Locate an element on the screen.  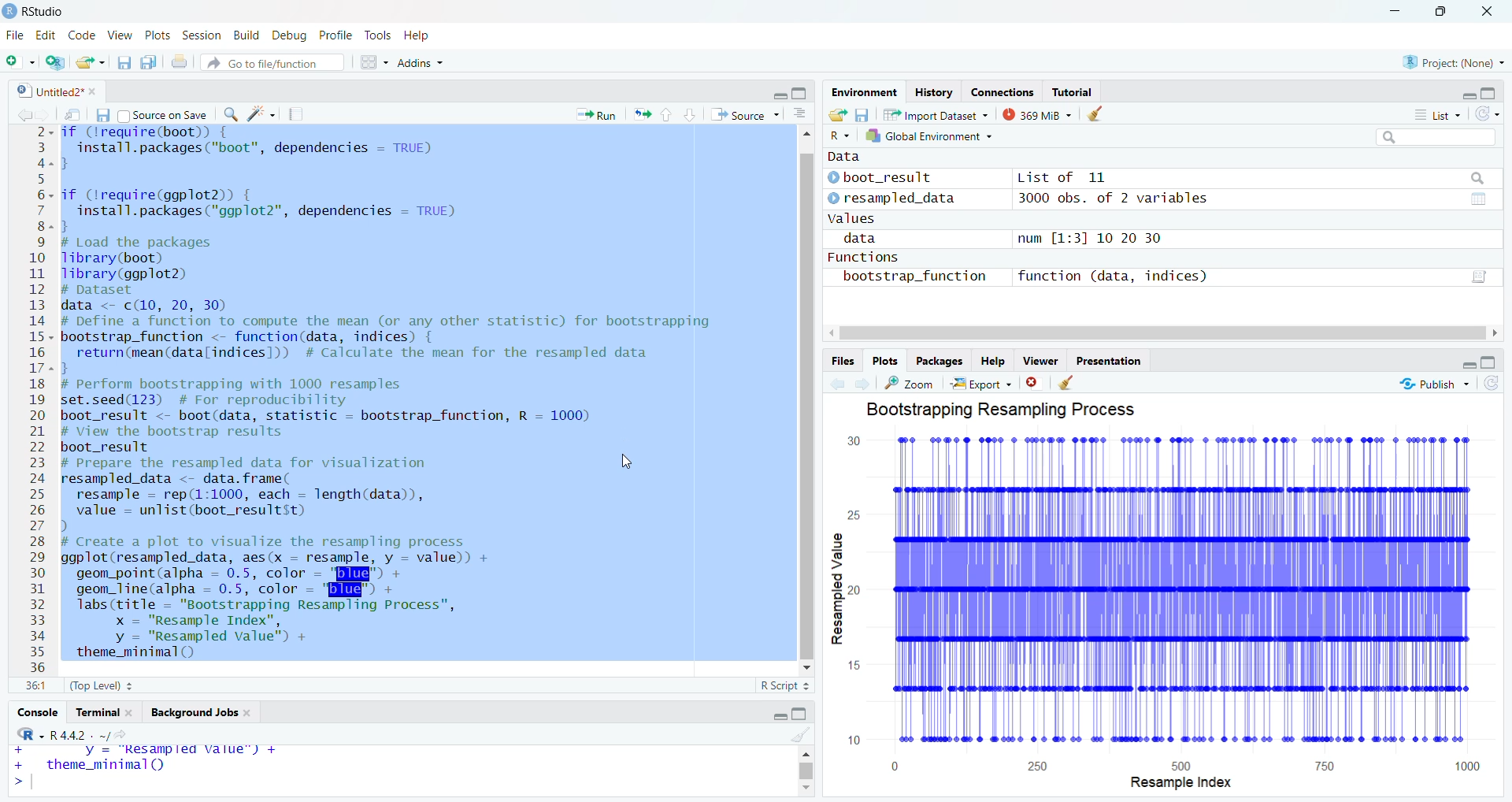
Build is located at coordinates (246, 36).